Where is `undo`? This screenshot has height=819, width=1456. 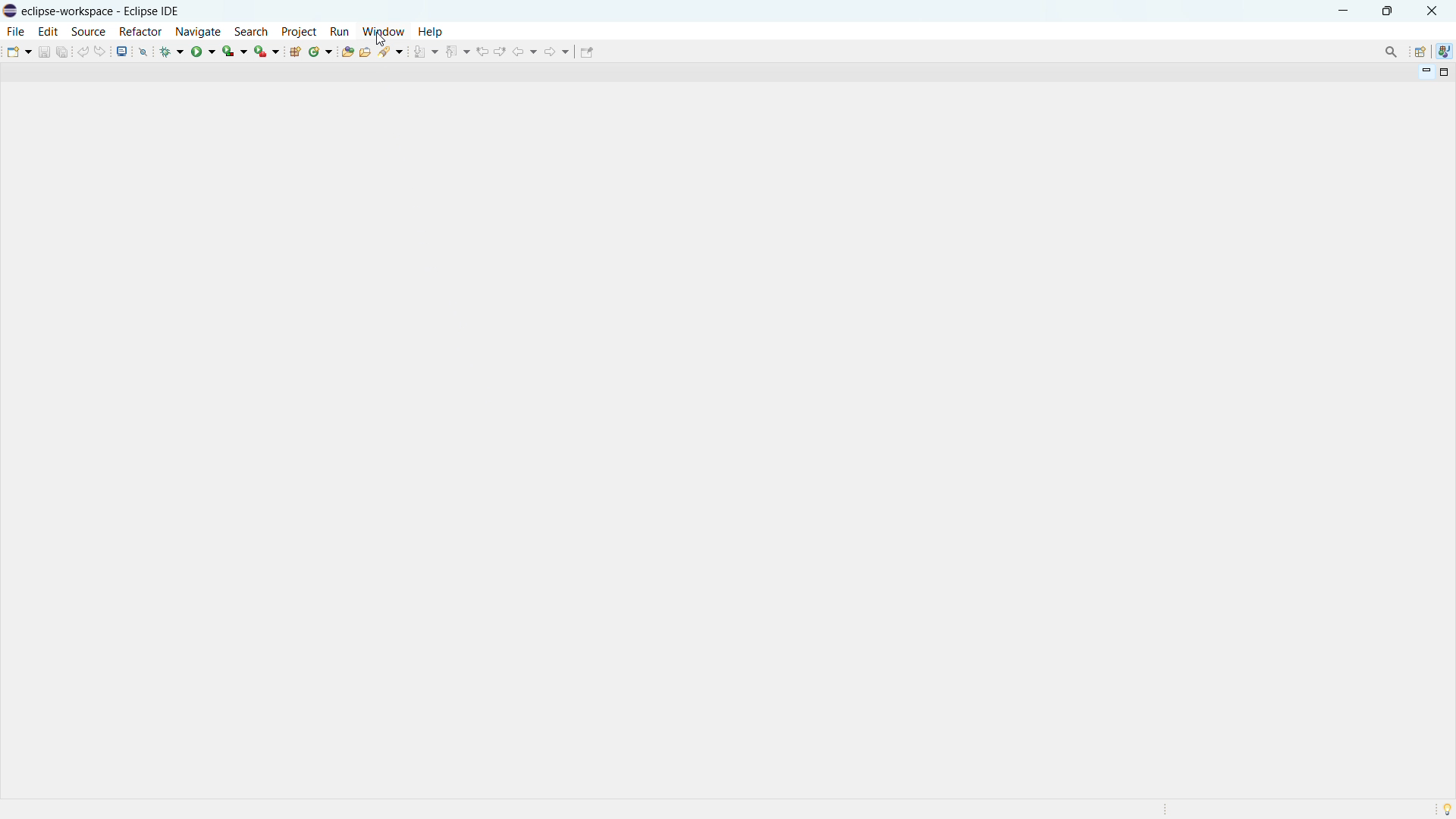 undo is located at coordinates (83, 51).